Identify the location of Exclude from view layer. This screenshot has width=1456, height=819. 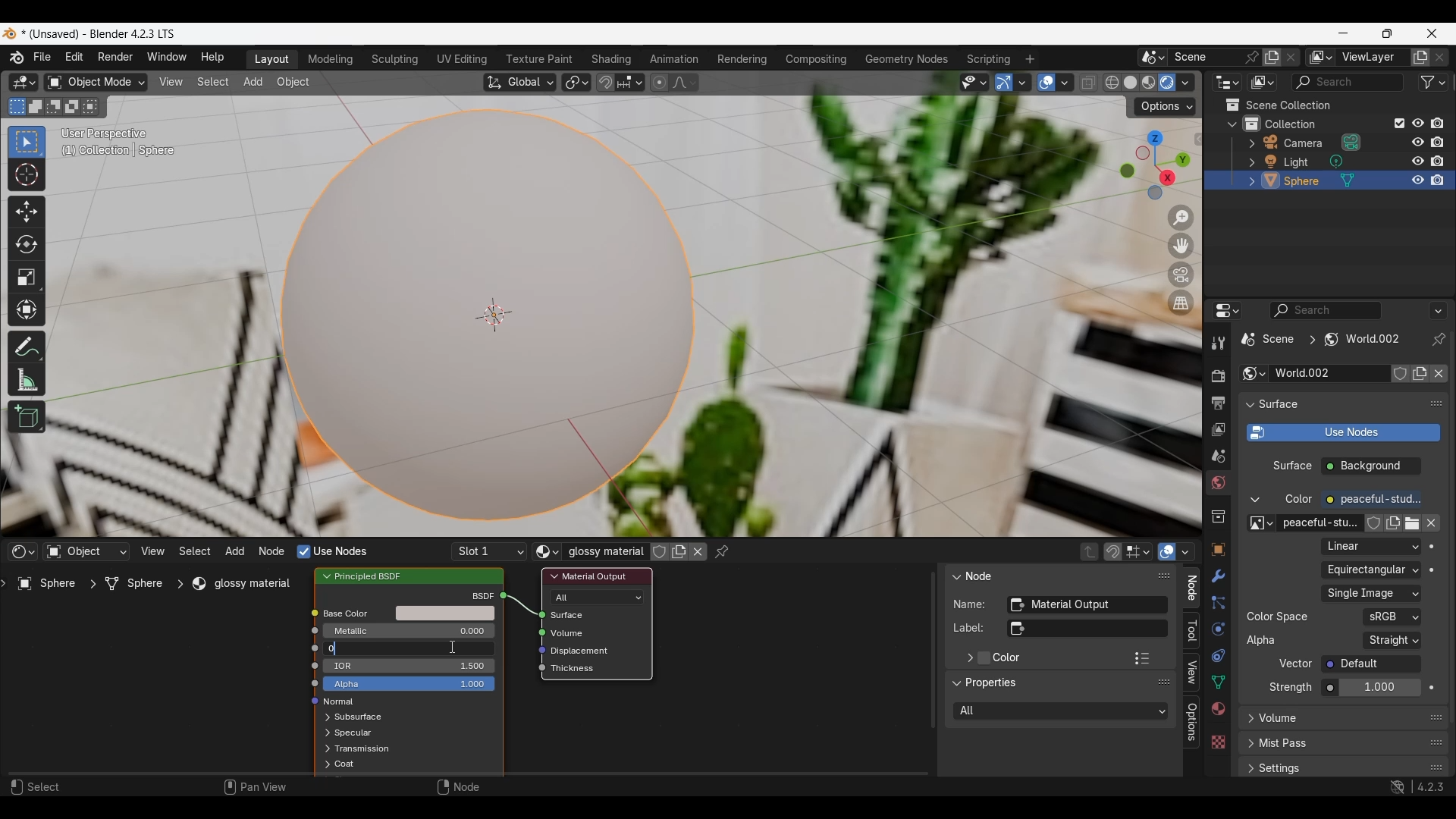
(1399, 124).